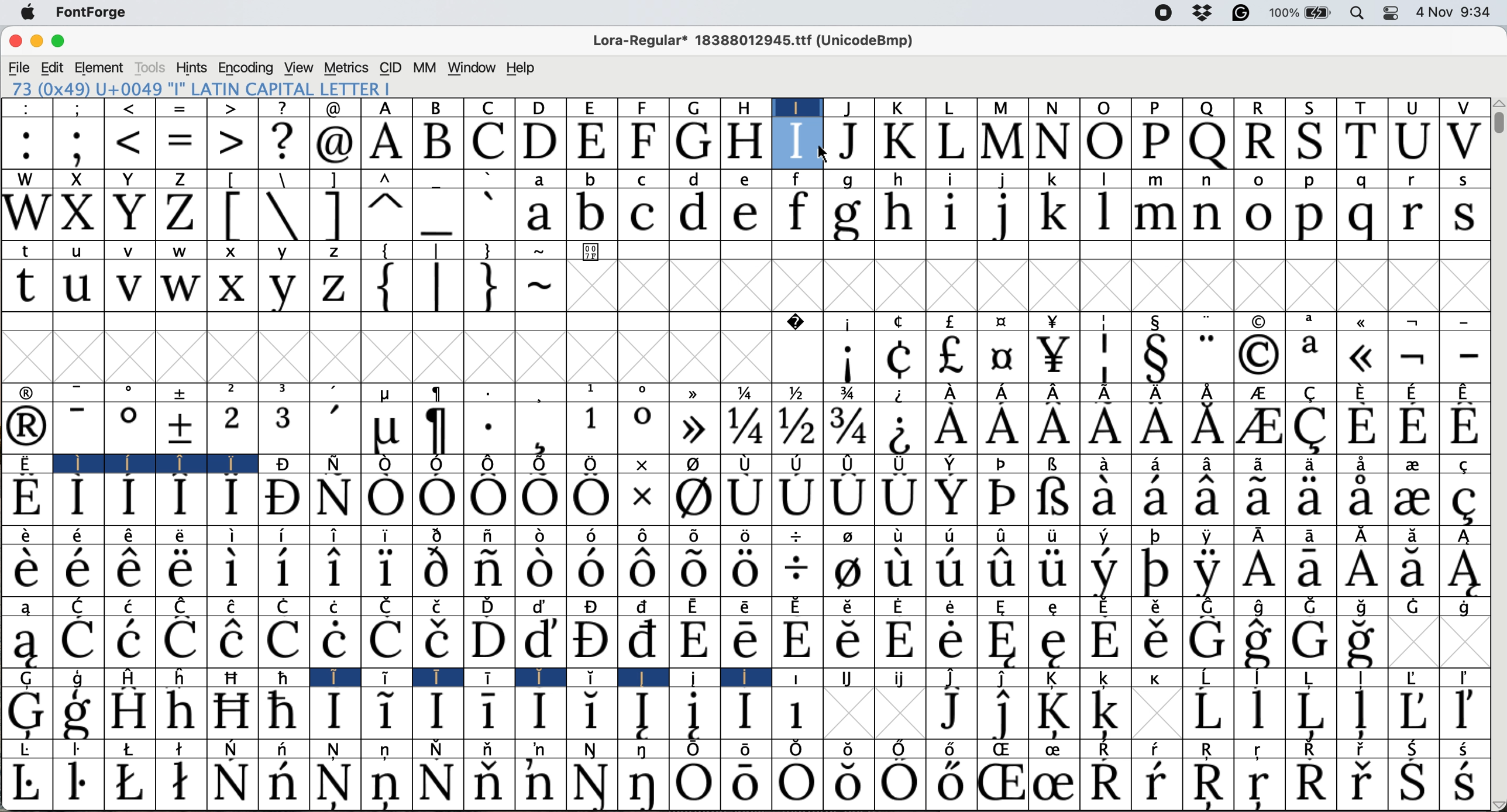  Describe the element at coordinates (899, 108) in the screenshot. I see `k` at that location.